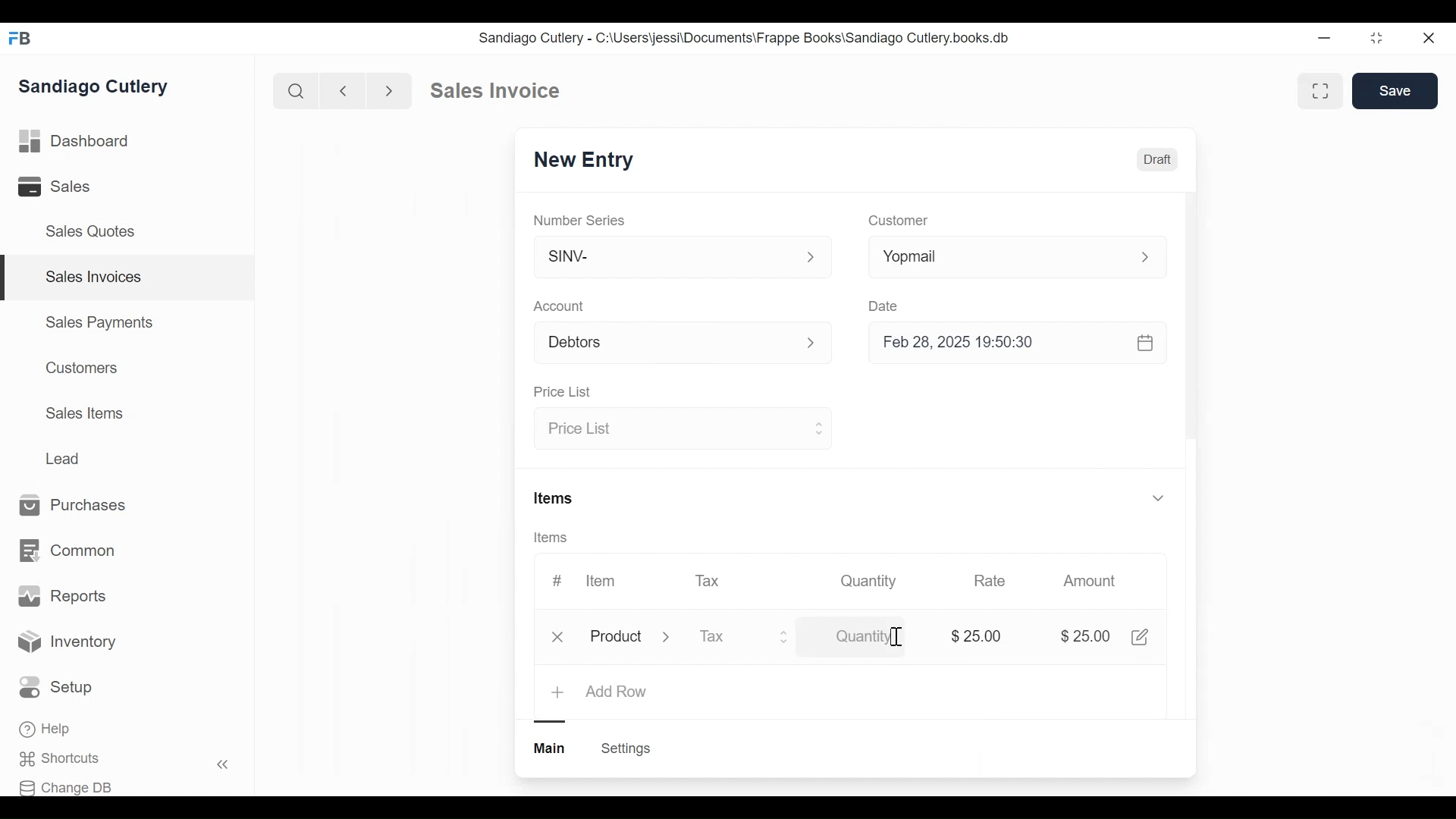  What do you see at coordinates (96, 232) in the screenshot?
I see `Sales Quotes` at bounding box center [96, 232].